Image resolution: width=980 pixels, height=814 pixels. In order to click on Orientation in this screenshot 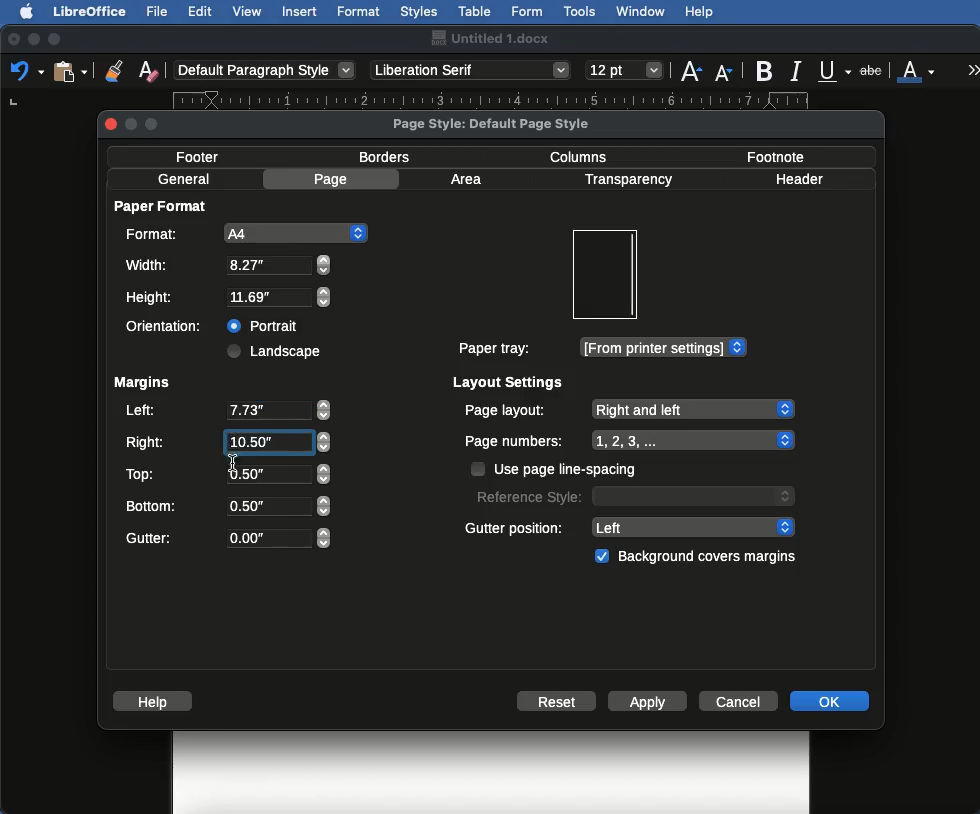, I will do `click(168, 326)`.